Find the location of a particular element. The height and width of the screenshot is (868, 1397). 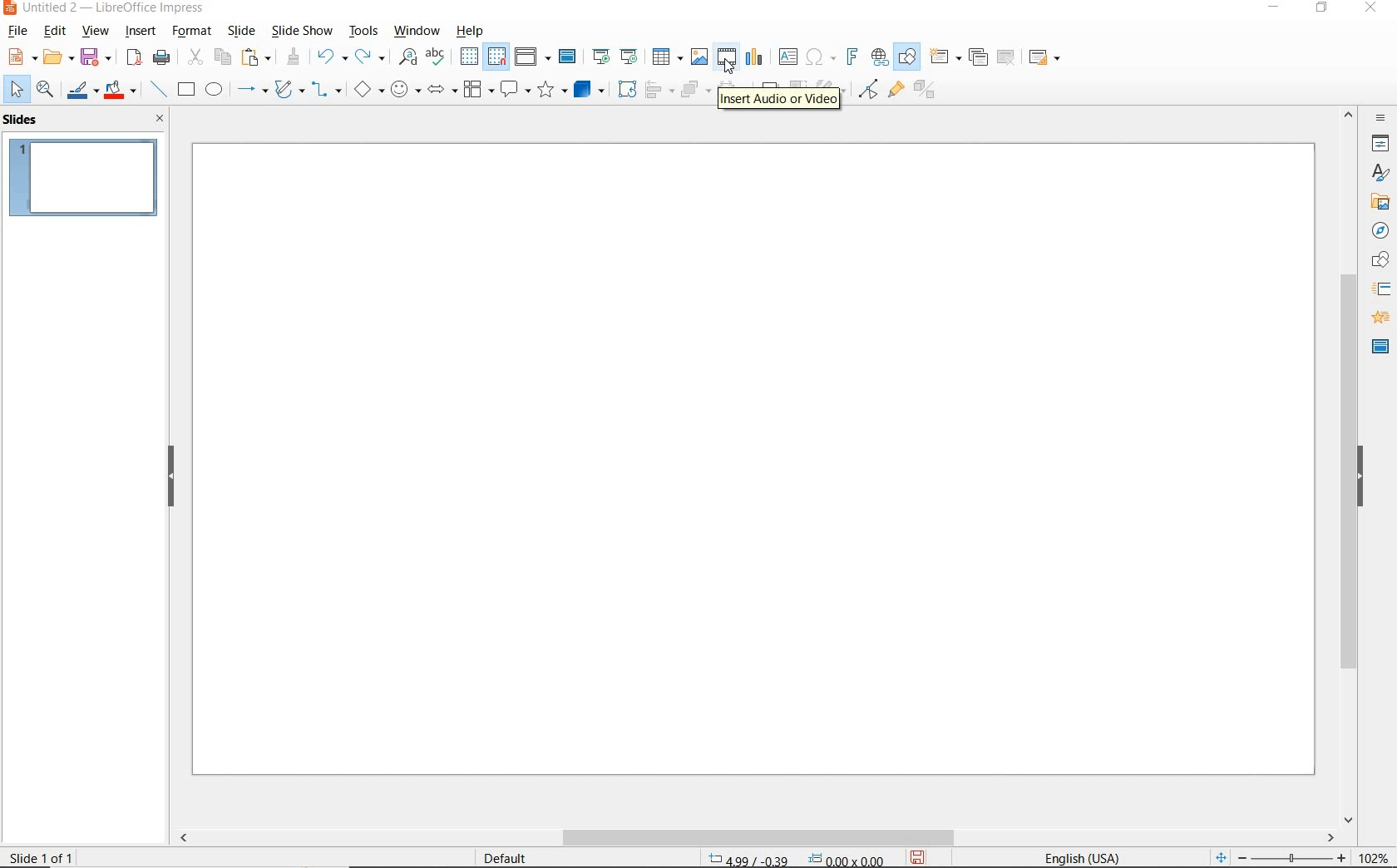

FILL COLOR is located at coordinates (122, 91).